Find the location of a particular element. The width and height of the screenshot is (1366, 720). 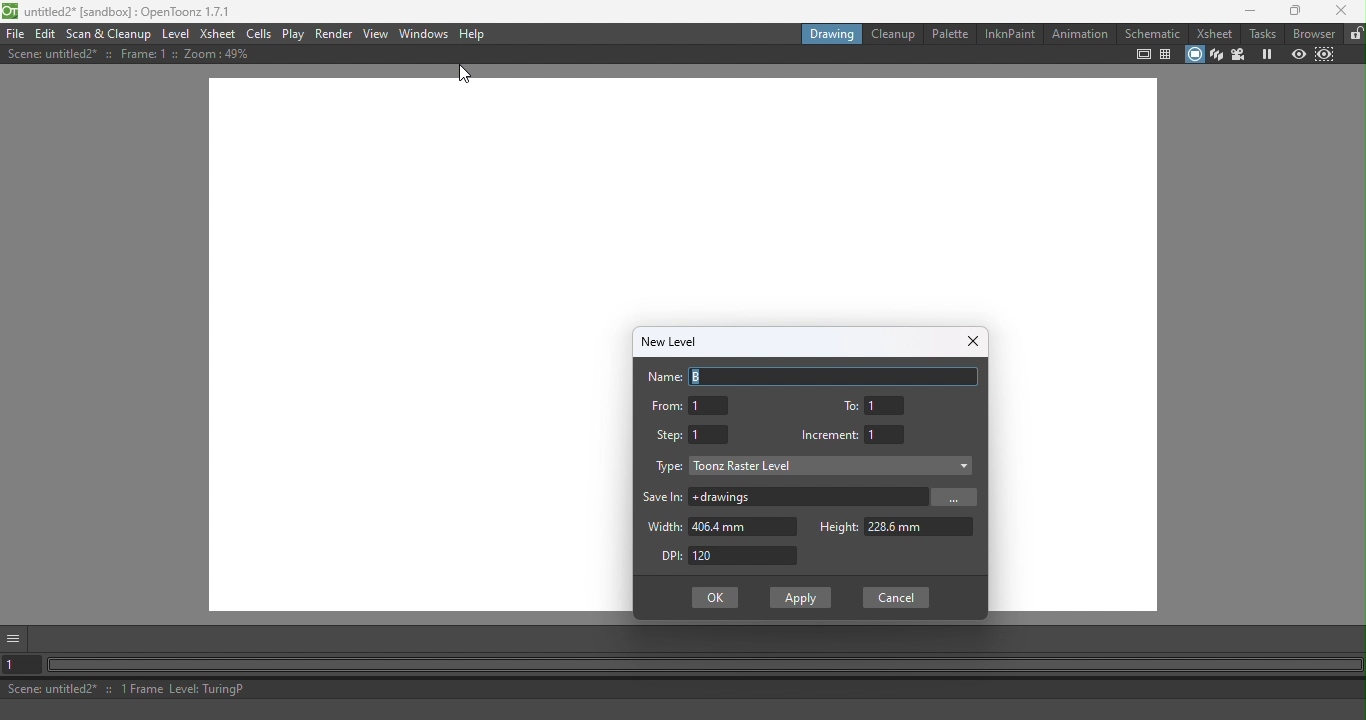

To is located at coordinates (850, 408).